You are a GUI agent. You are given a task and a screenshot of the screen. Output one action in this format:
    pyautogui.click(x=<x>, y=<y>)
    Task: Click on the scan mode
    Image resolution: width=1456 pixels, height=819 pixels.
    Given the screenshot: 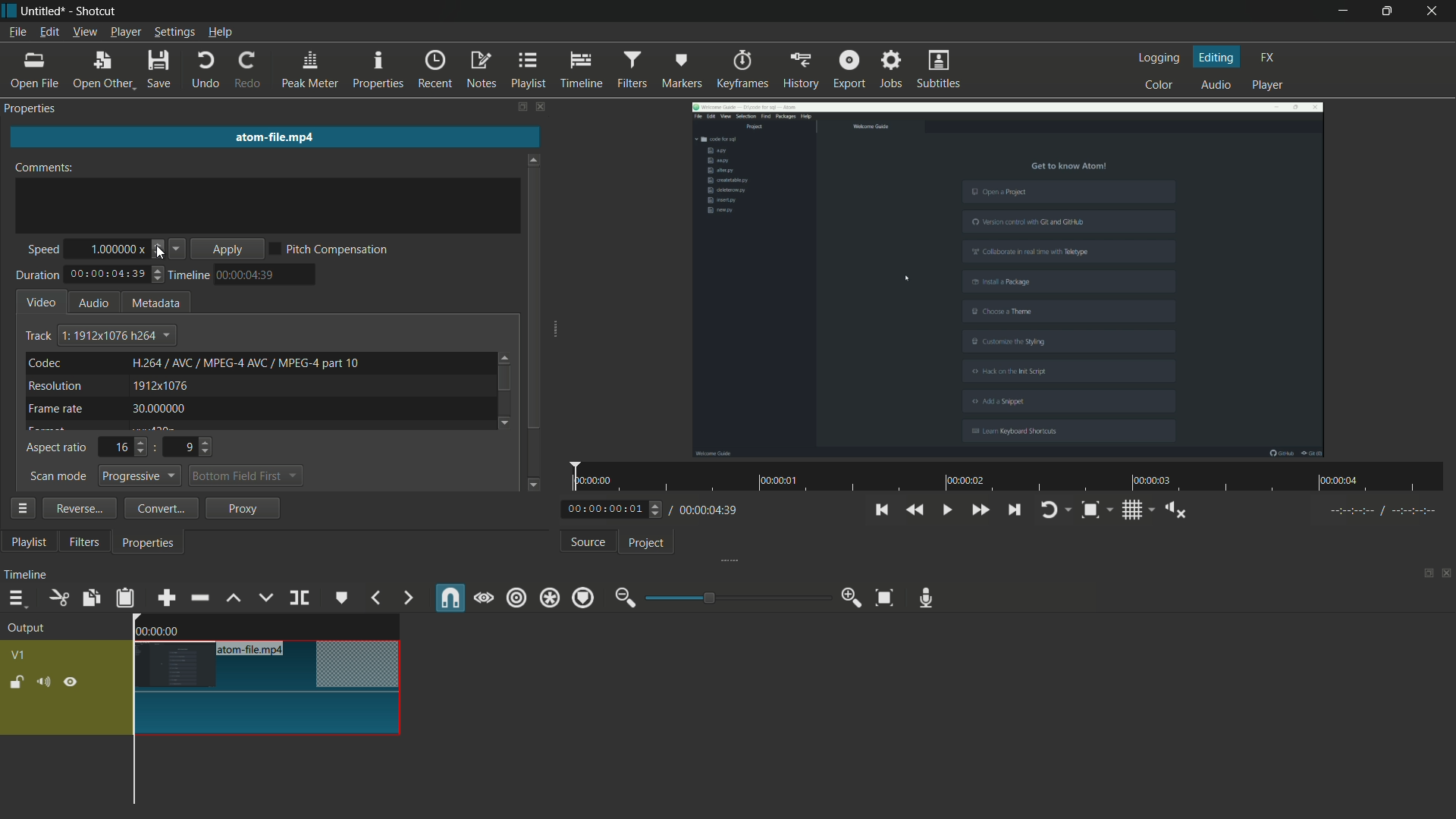 What is the action you would take?
    pyautogui.click(x=58, y=477)
    